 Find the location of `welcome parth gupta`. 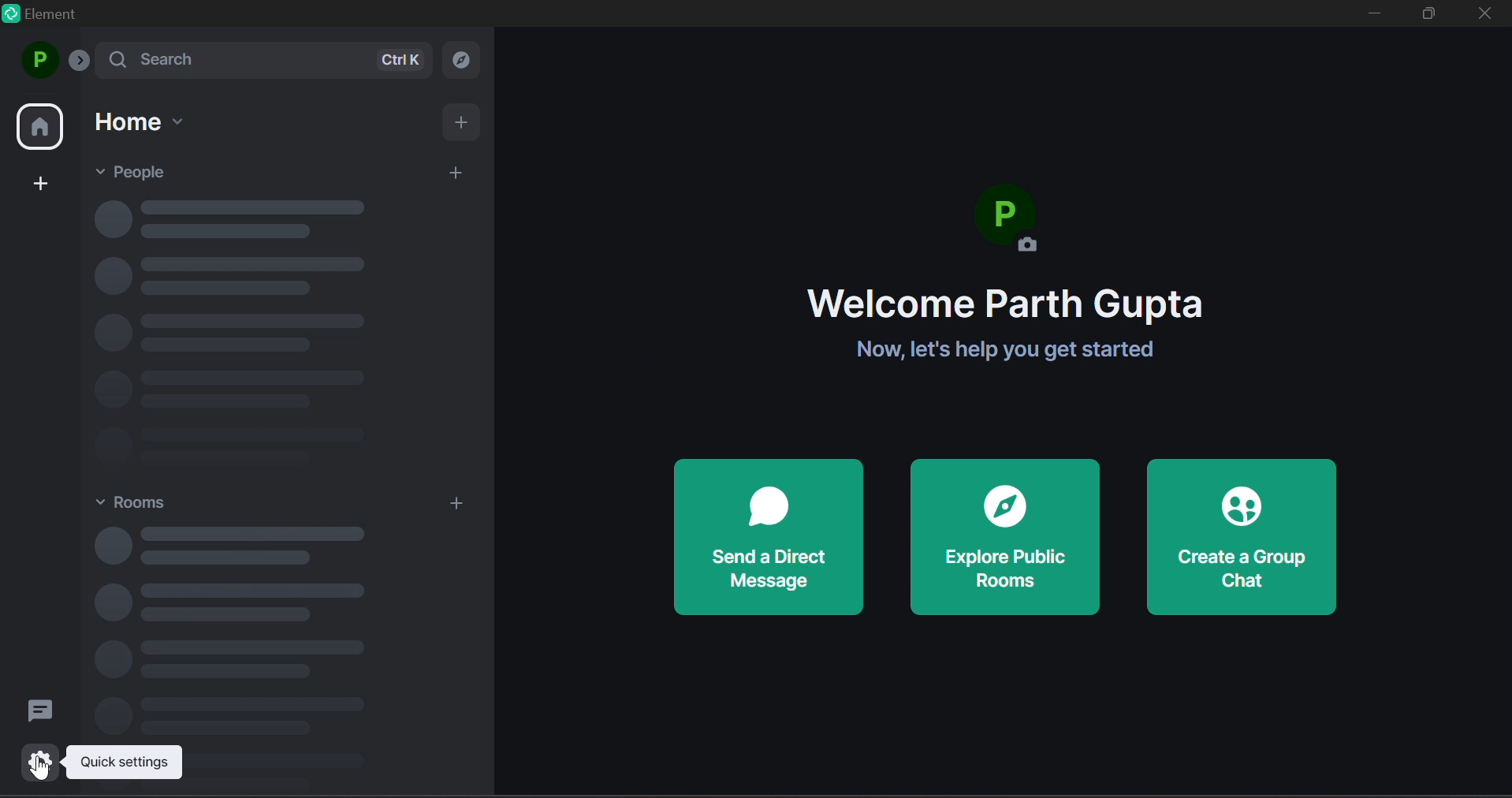

welcome parth gupta is located at coordinates (1006, 304).